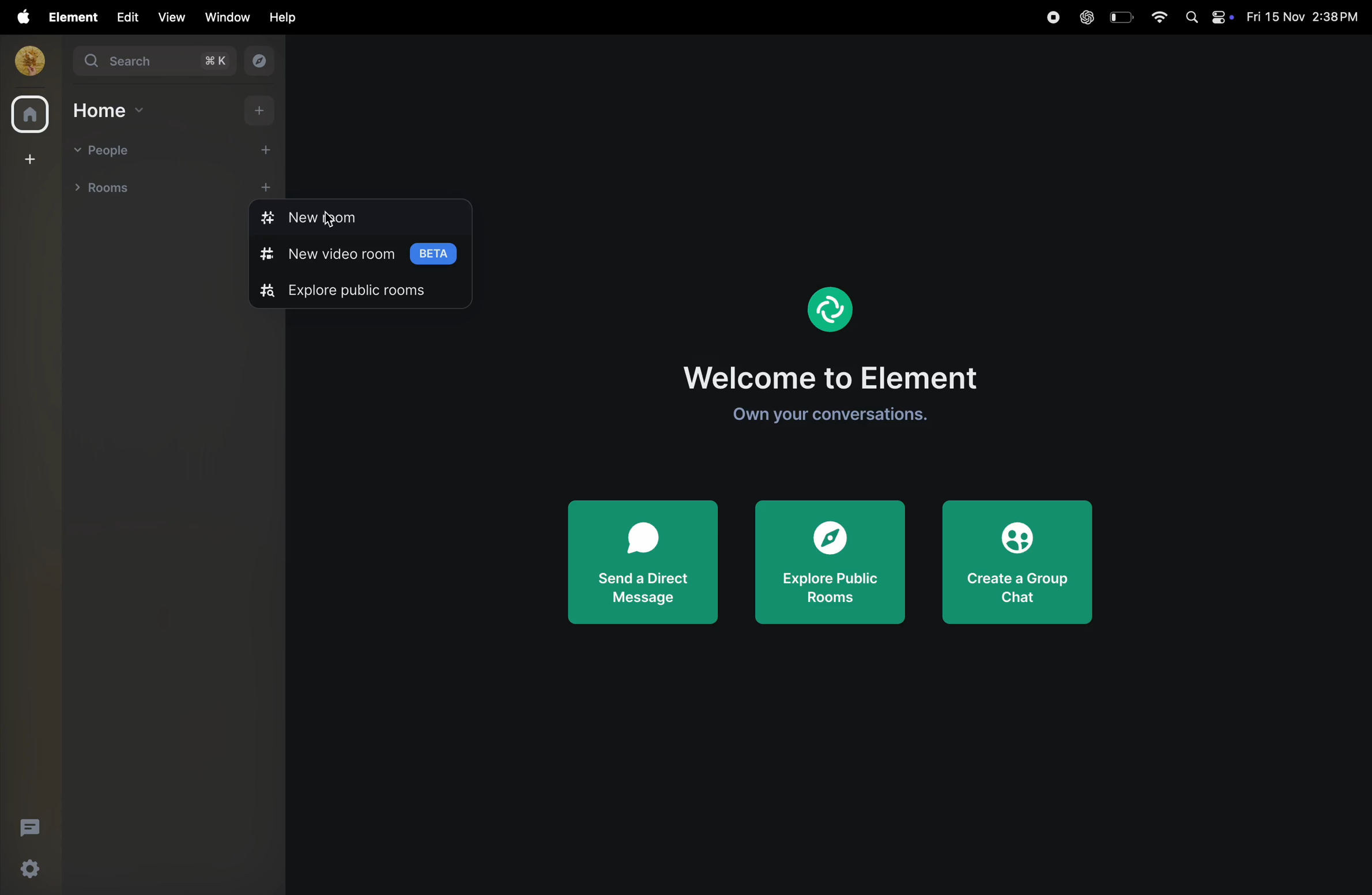 This screenshot has width=1372, height=895. What do you see at coordinates (1020, 563) in the screenshot?
I see `create chat group` at bounding box center [1020, 563].